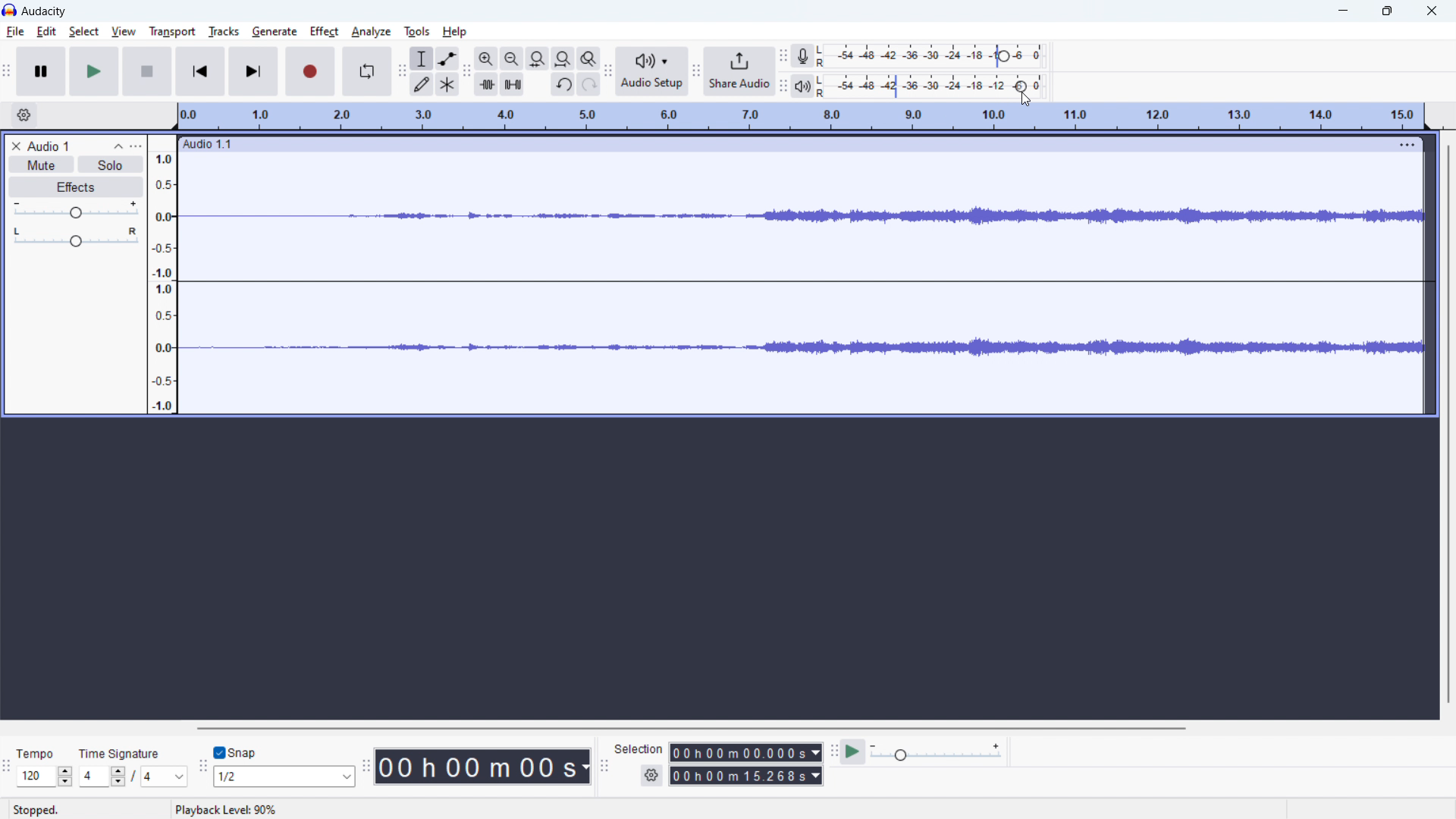  Describe the element at coordinates (198, 71) in the screenshot. I see `skip to start` at that location.